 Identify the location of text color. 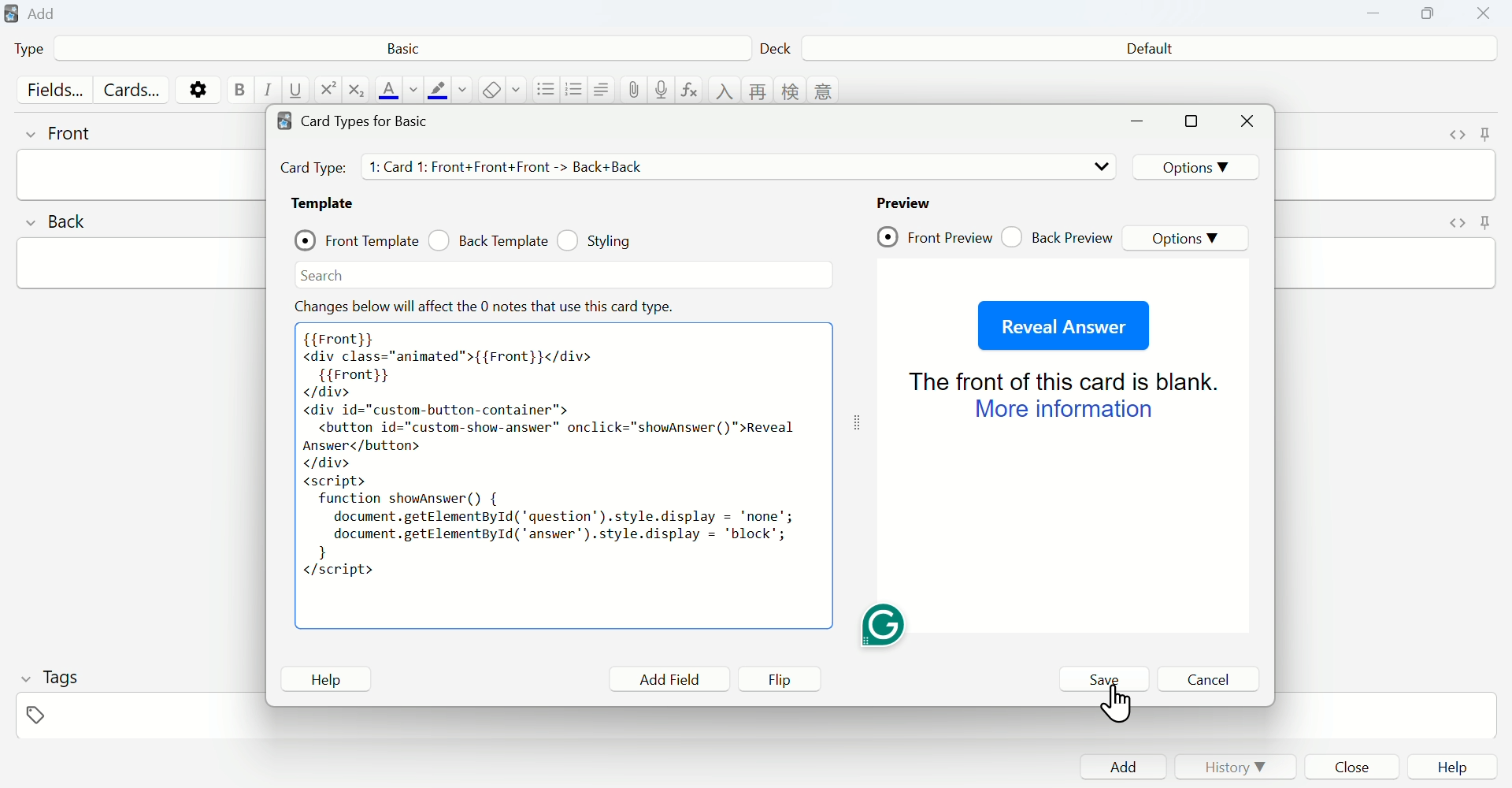
(389, 90).